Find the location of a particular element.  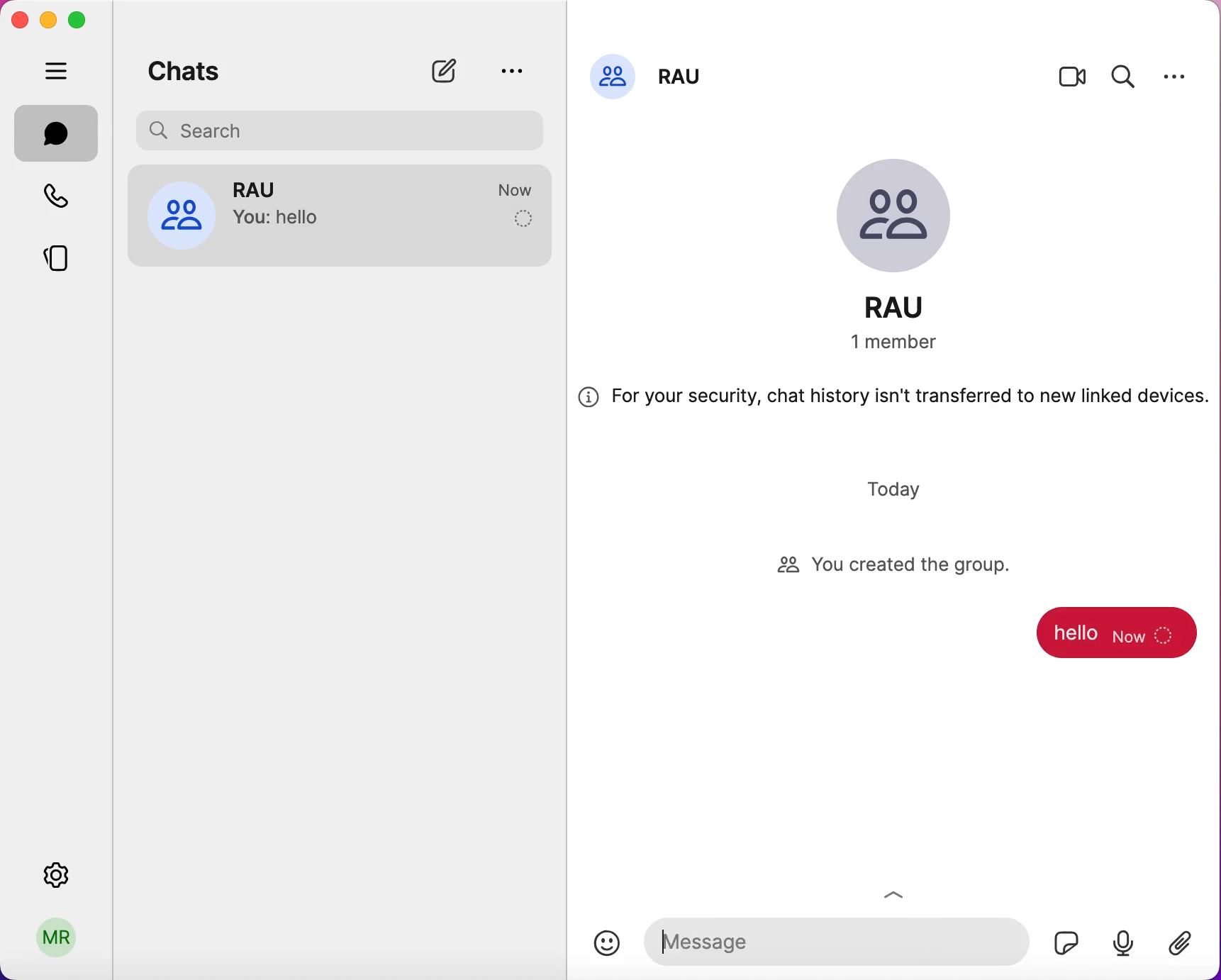

video call is located at coordinates (1073, 80).